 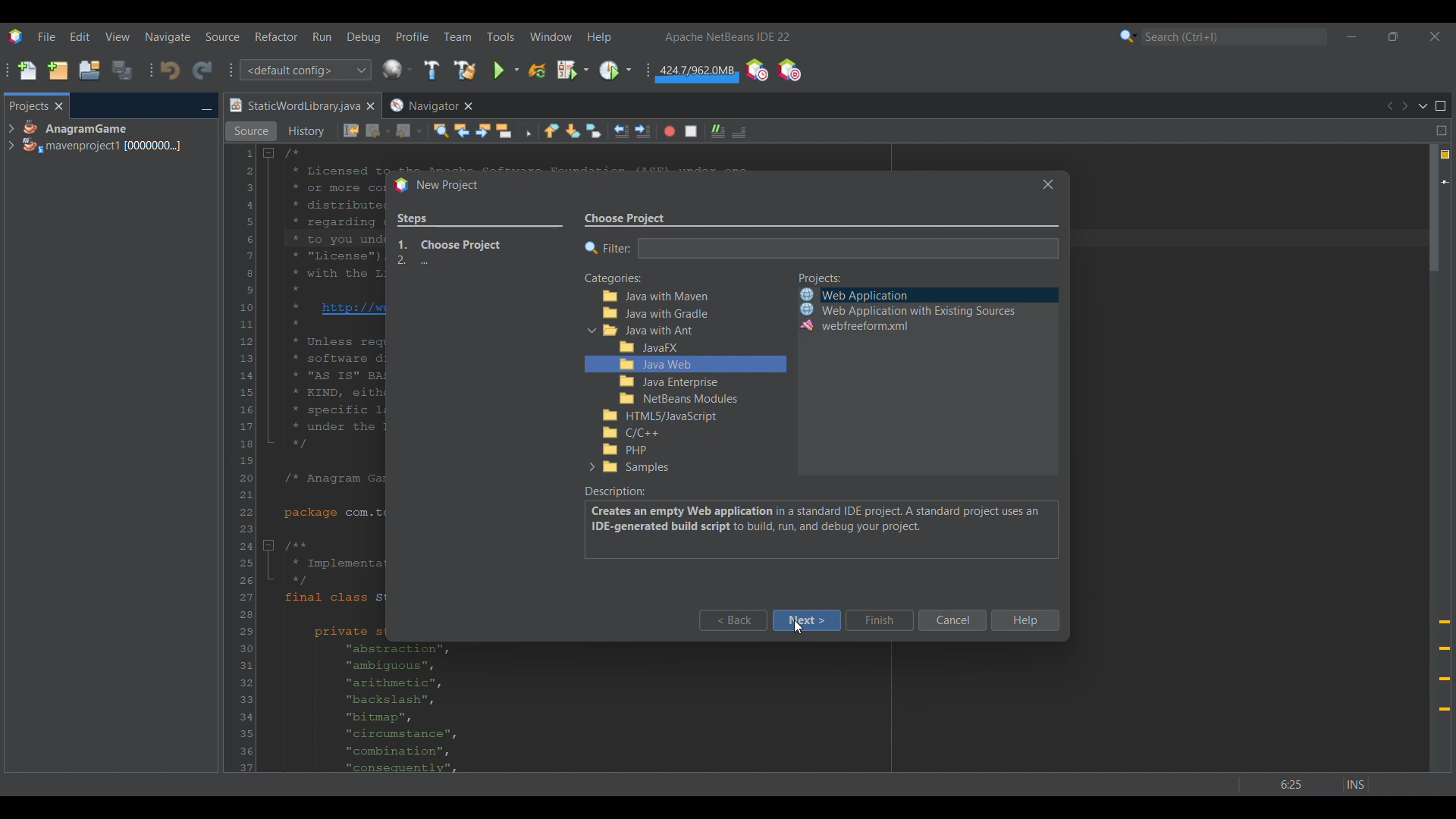 What do you see at coordinates (698, 73) in the screenshot?
I see `Garbage collection changed` at bounding box center [698, 73].